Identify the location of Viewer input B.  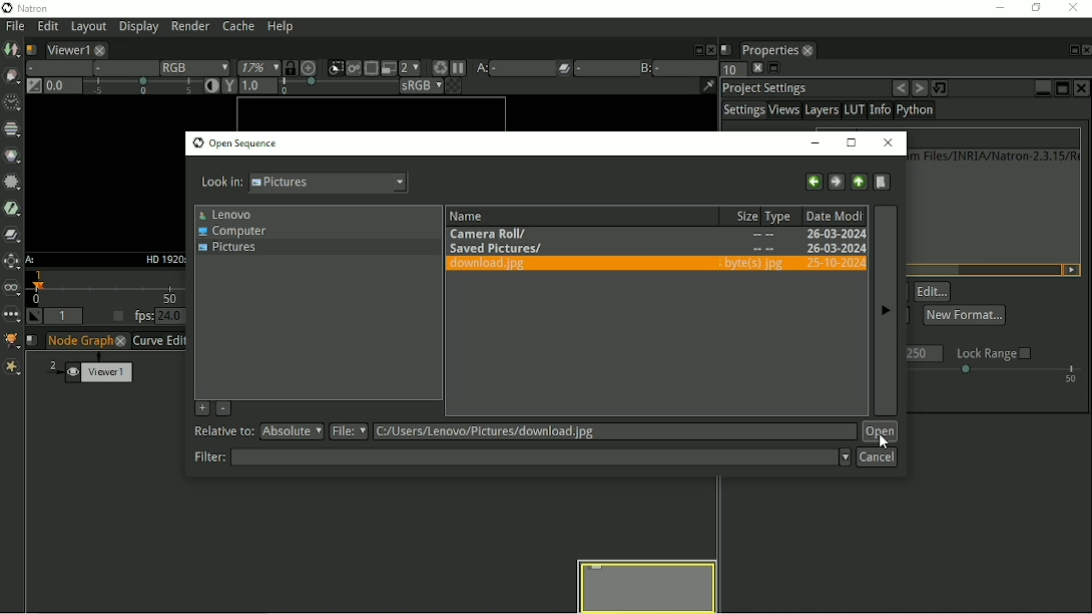
(644, 67).